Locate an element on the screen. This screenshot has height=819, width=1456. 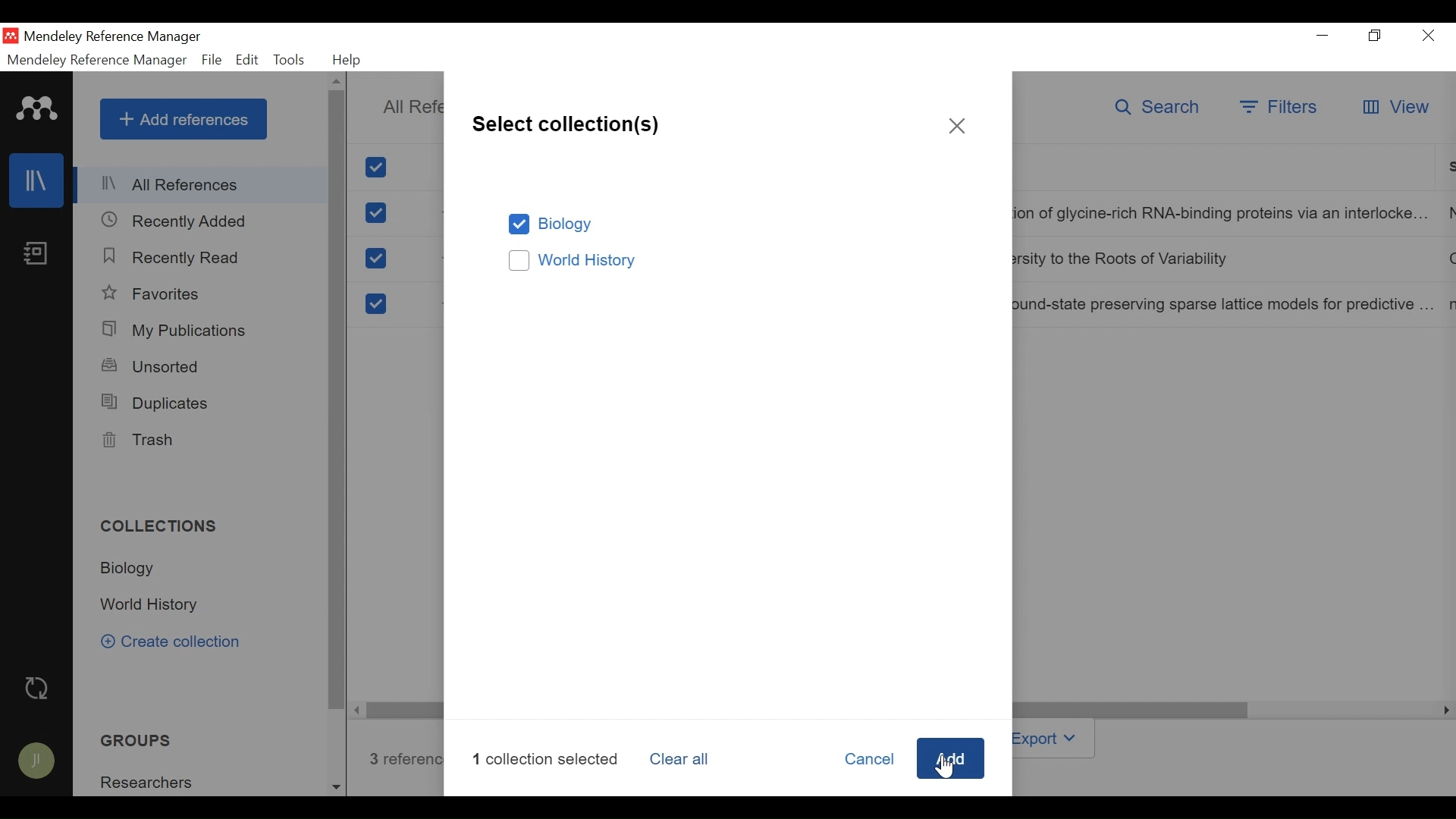
Add Reference is located at coordinates (183, 119).